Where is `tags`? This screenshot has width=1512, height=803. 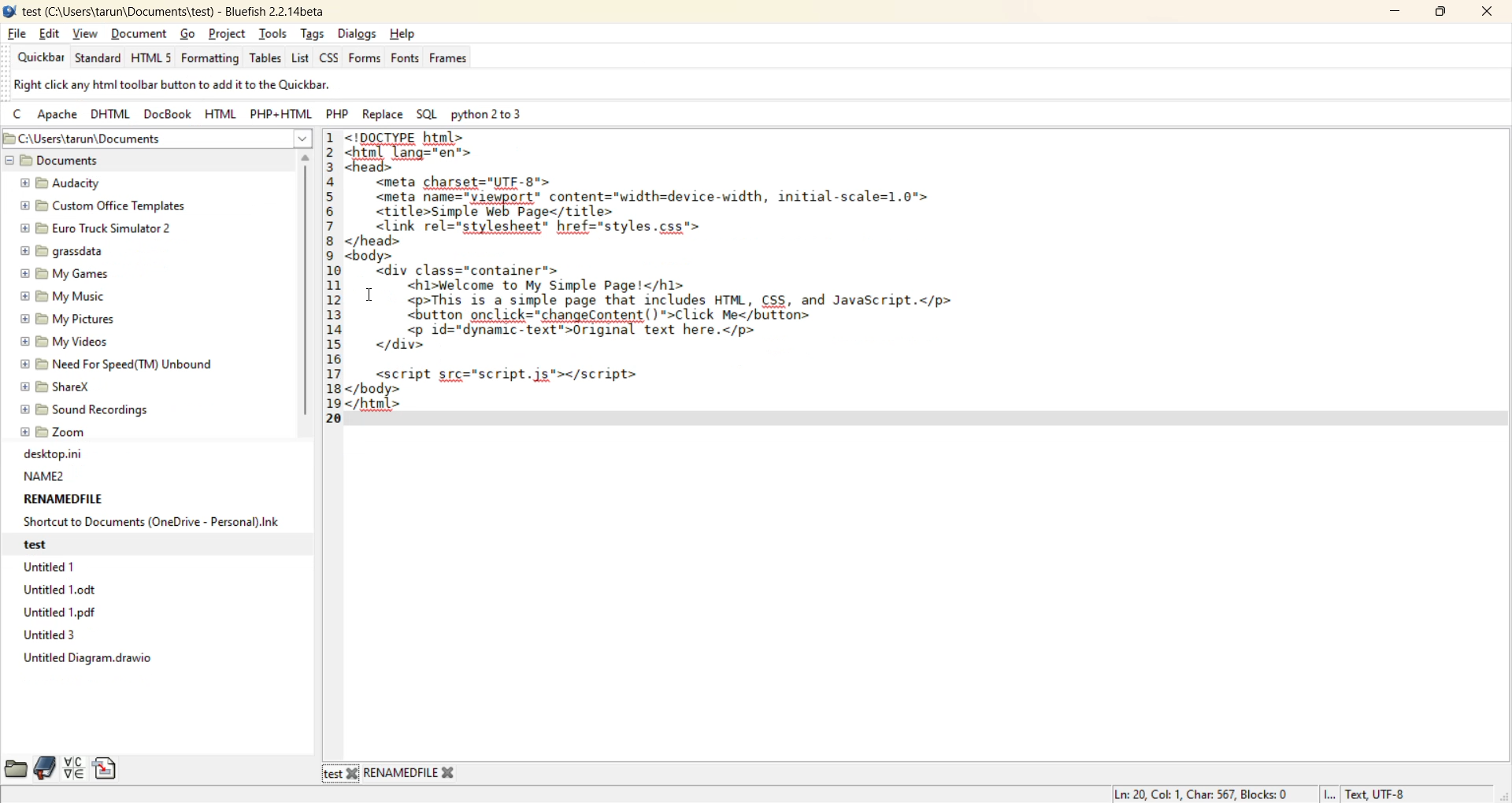 tags is located at coordinates (315, 35).